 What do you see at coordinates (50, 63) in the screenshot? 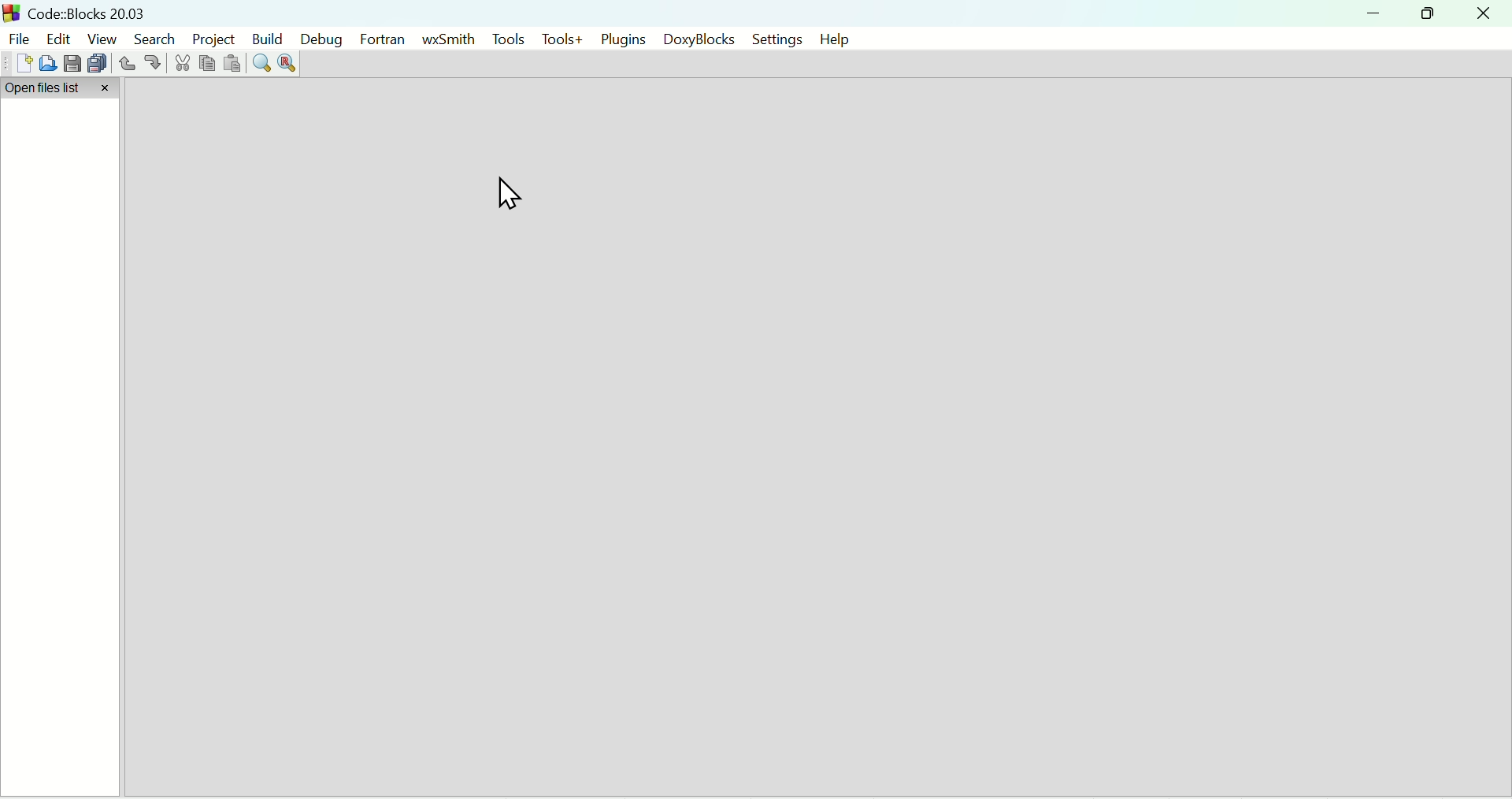
I see `Open file` at bounding box center [50, 63].